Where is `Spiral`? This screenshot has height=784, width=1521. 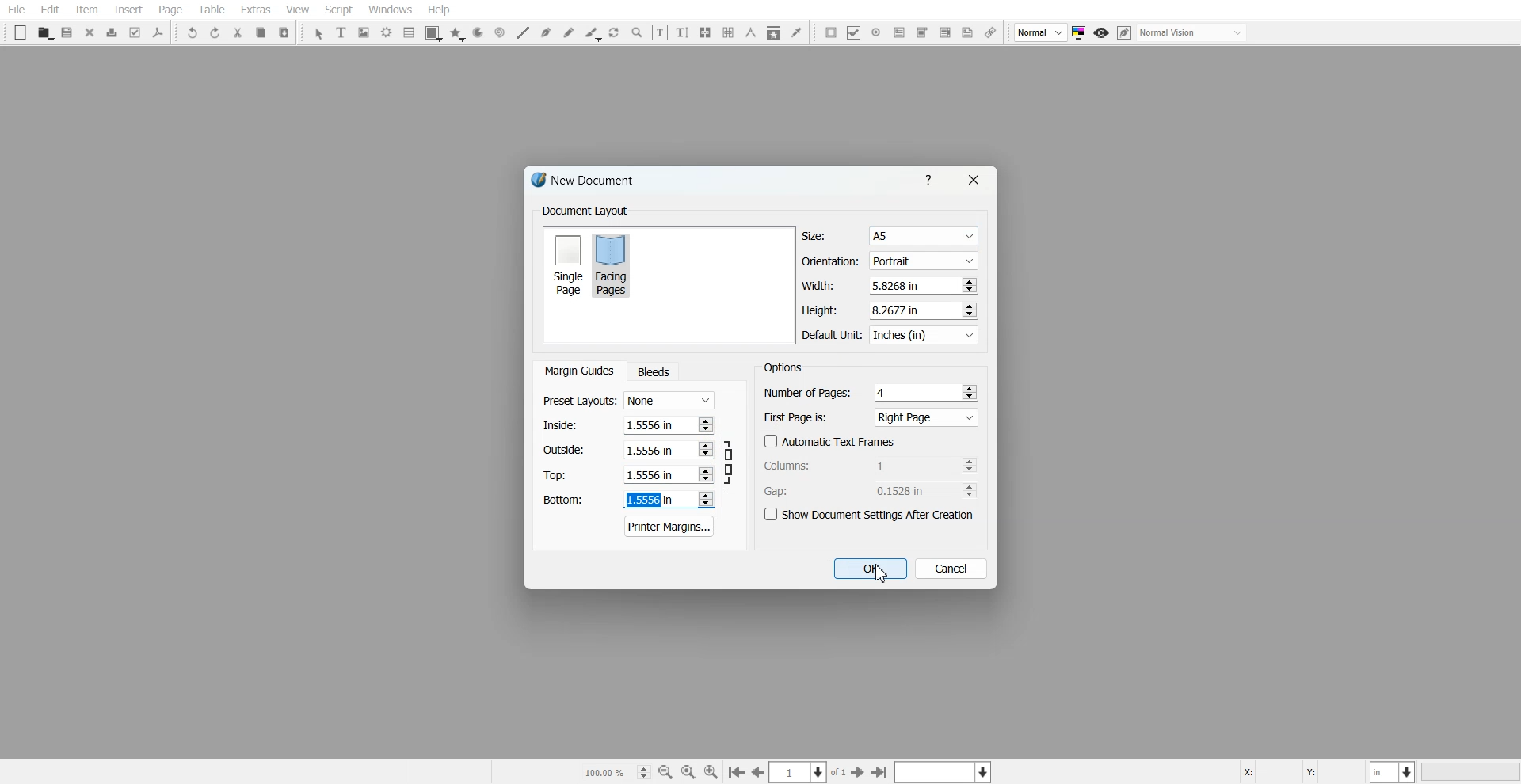 Spiral is located at coordinates (499, 32).